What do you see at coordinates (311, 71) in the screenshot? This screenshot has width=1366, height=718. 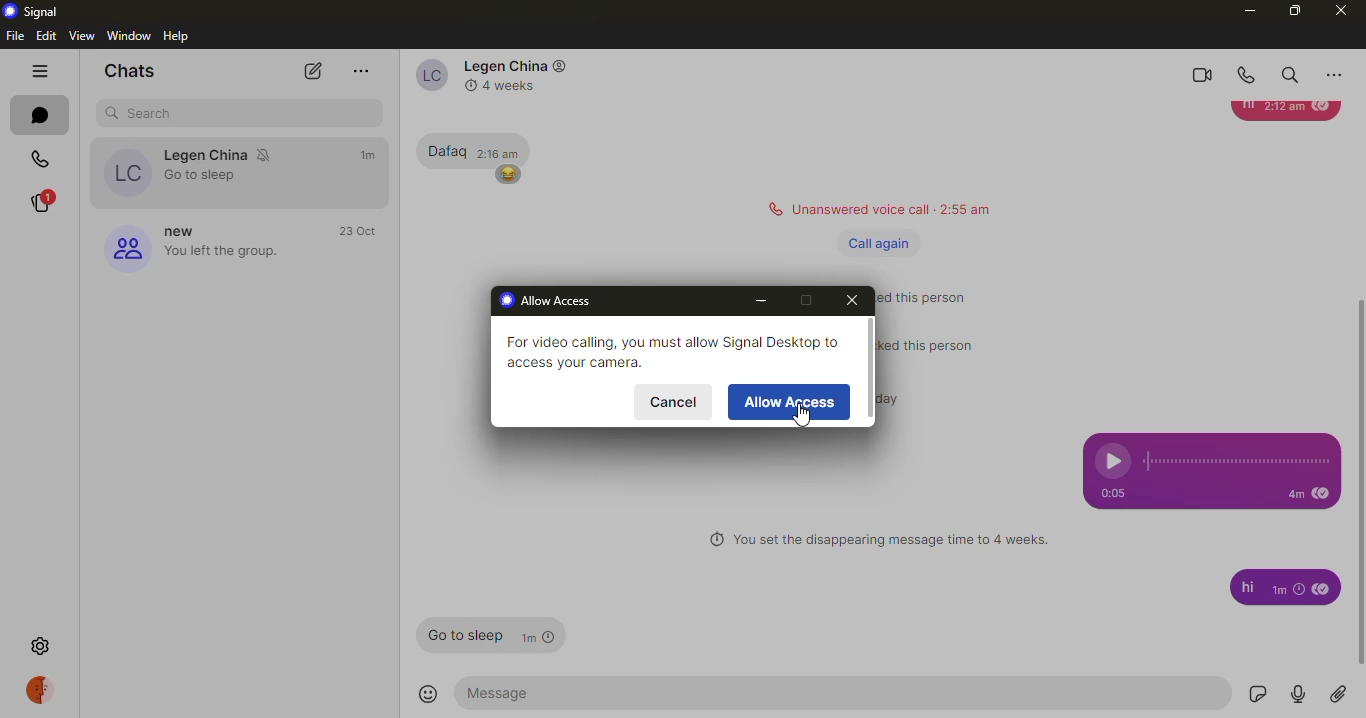 I see `new chat` at bounding box center [311, 71].